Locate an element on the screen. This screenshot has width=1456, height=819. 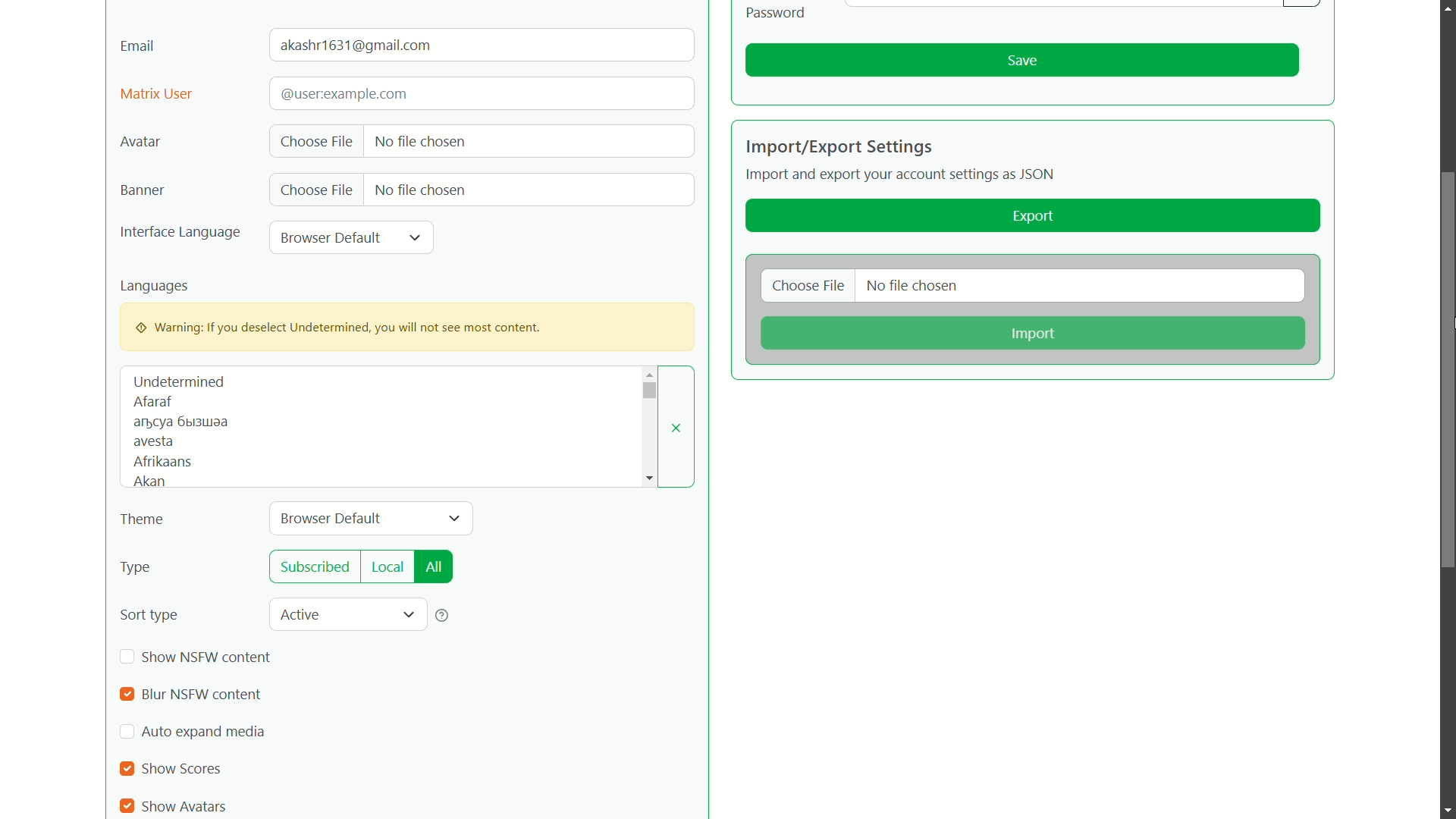
type is located at coordinates (136, 569).